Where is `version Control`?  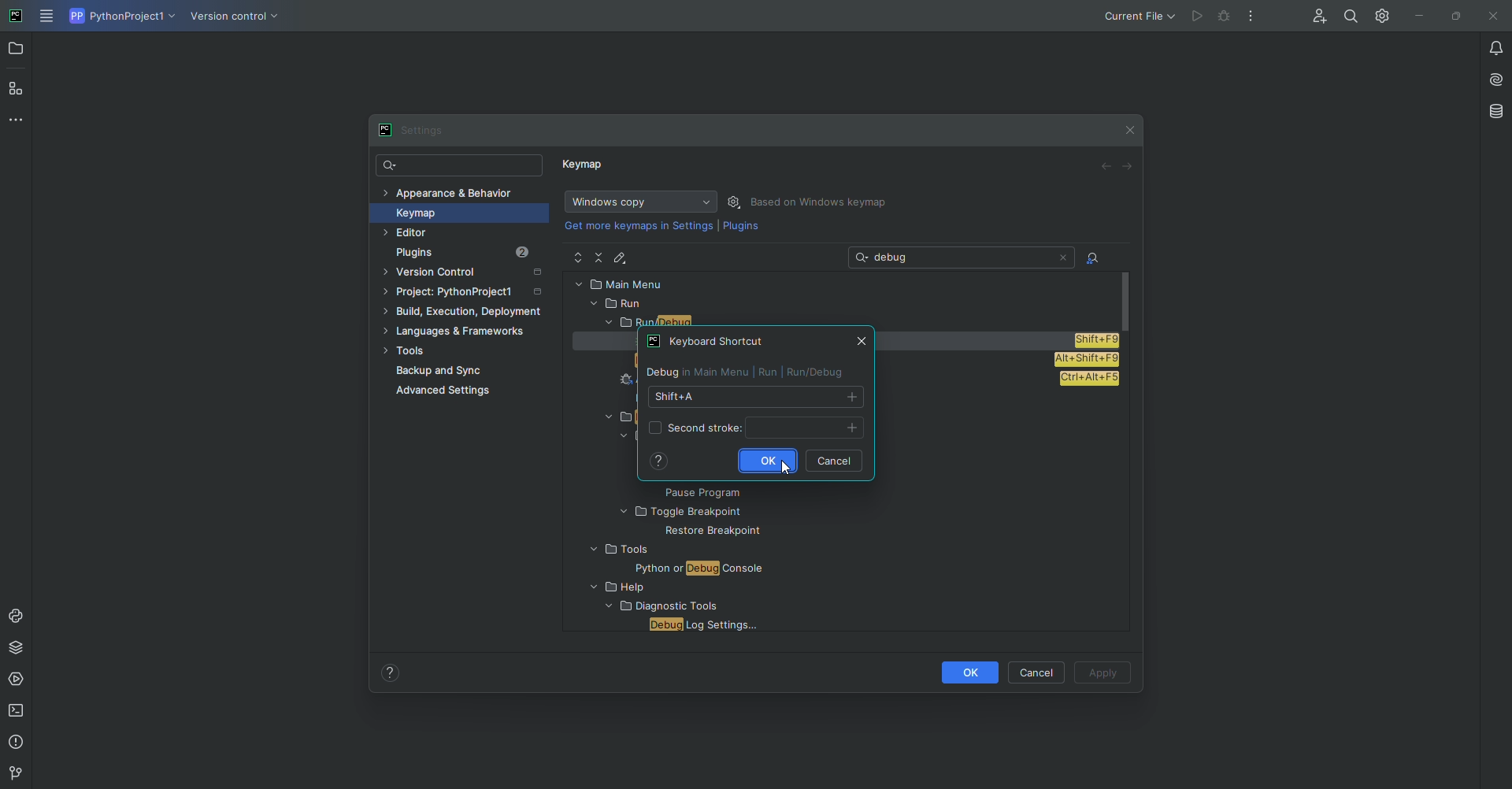 version Control is located at coordinates (13, 774).